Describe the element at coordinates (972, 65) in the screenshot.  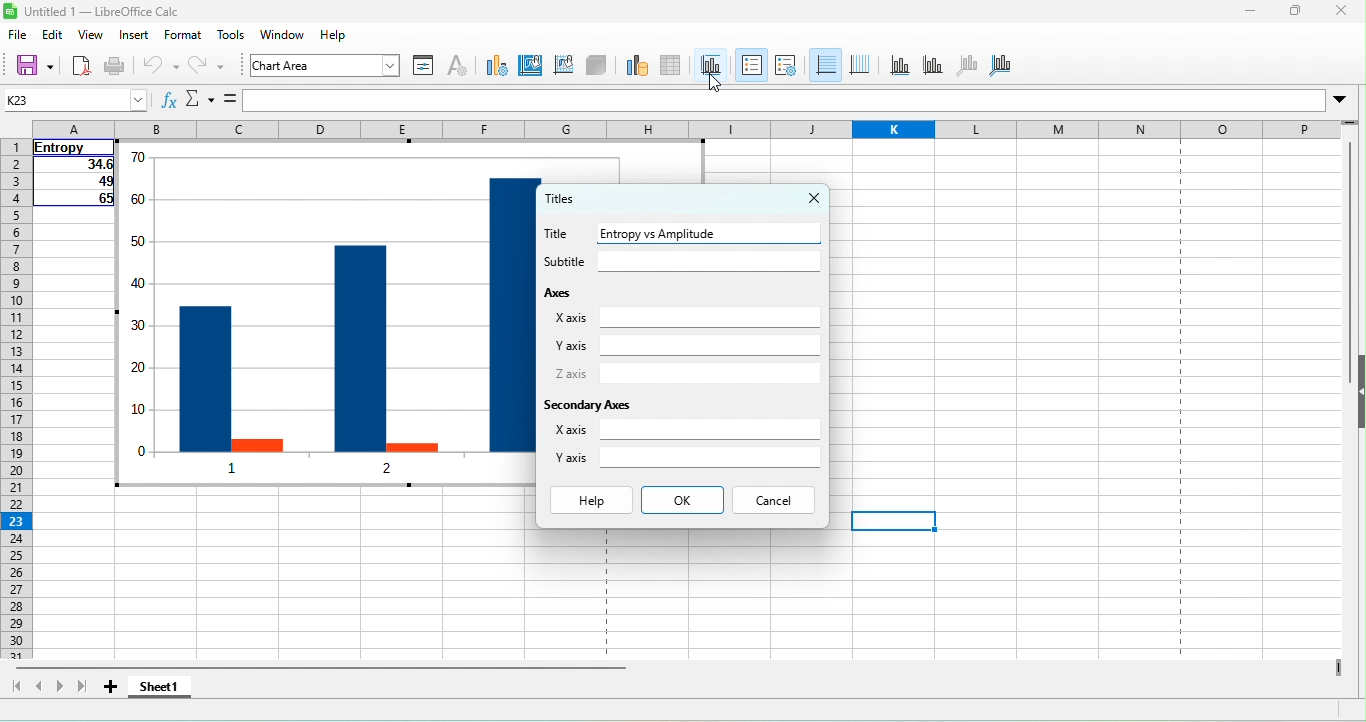
I see `z axis` at that location.